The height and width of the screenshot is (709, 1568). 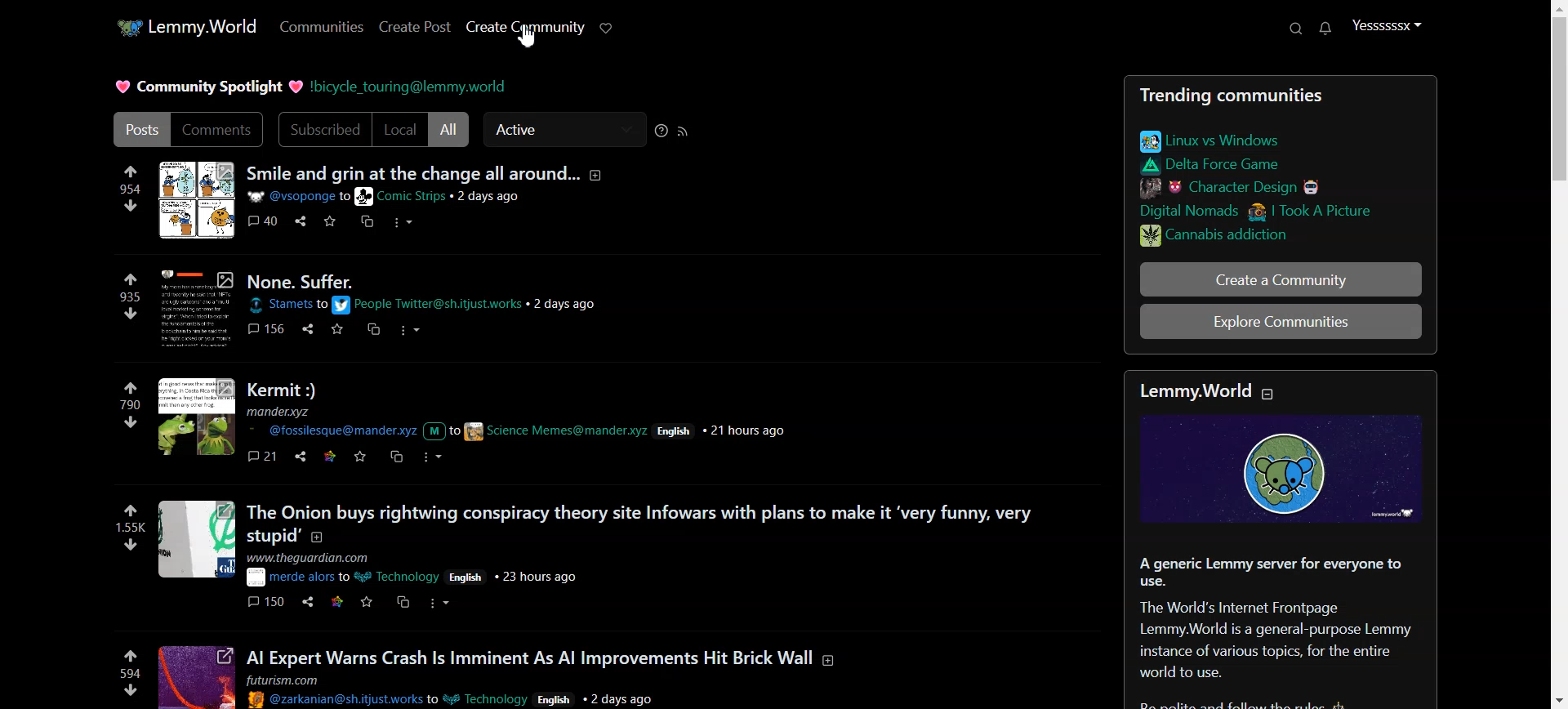 I want to click on Posts, so click(x=1276, y=630).